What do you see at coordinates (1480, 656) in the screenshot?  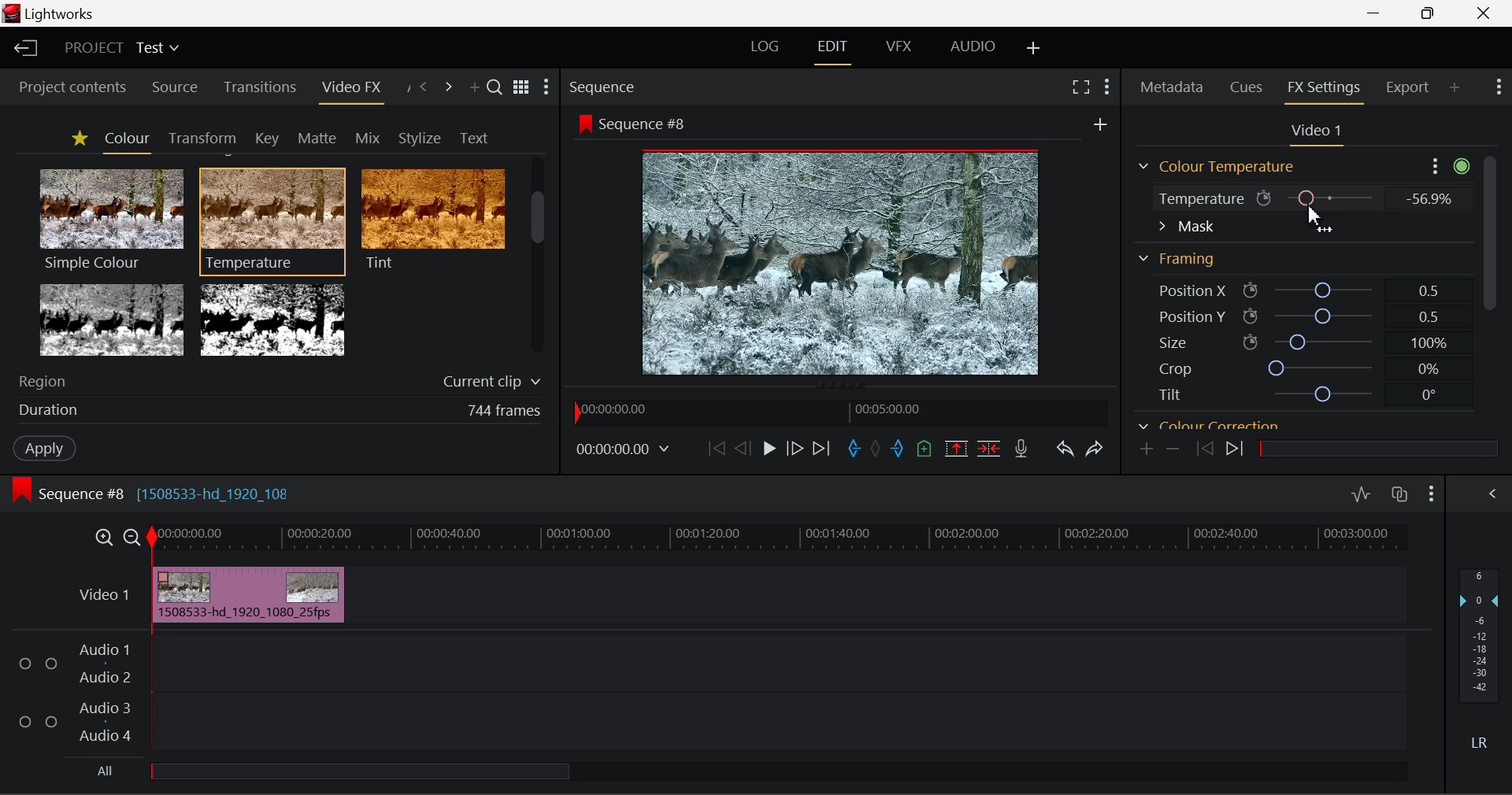 I see `Decibel Level` at bounding box center [1480, 656].